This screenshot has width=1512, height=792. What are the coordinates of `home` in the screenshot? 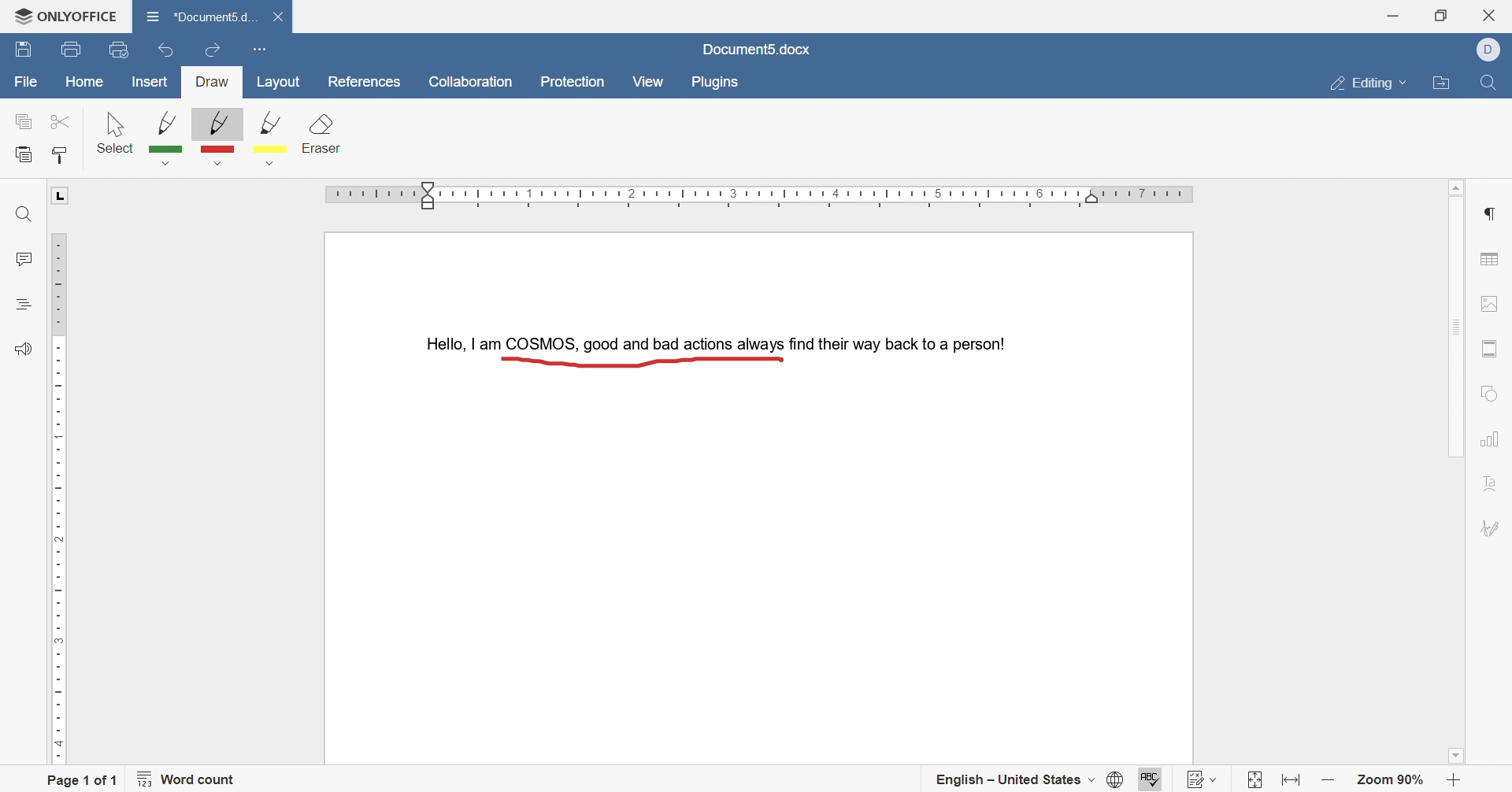 It's located at (86, 81).